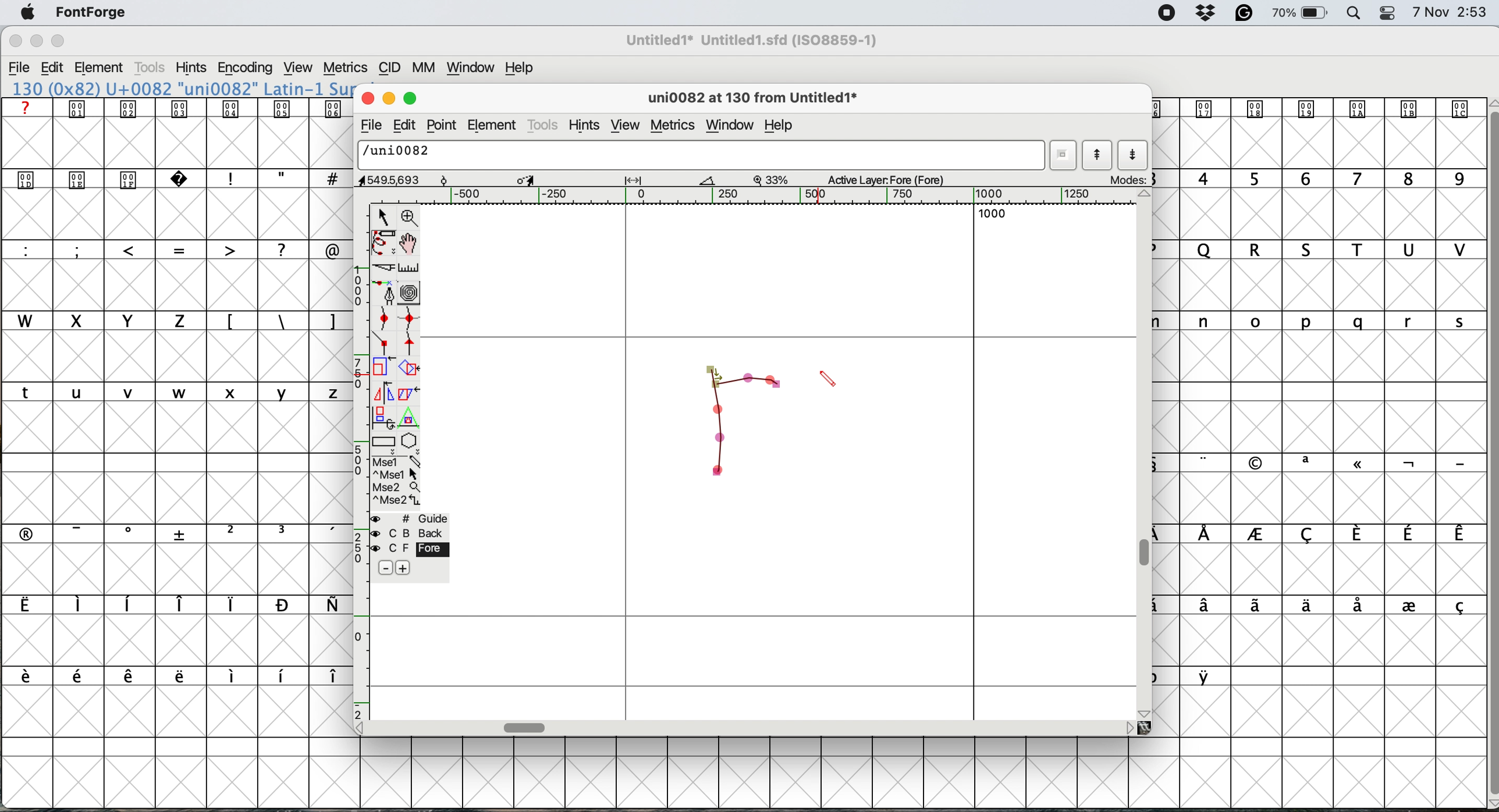 This screenshot has height=812, width=1499. What do you see at coordinates (384, 215) in the screenshot?
I see `select` at bounding box center [384, 215].